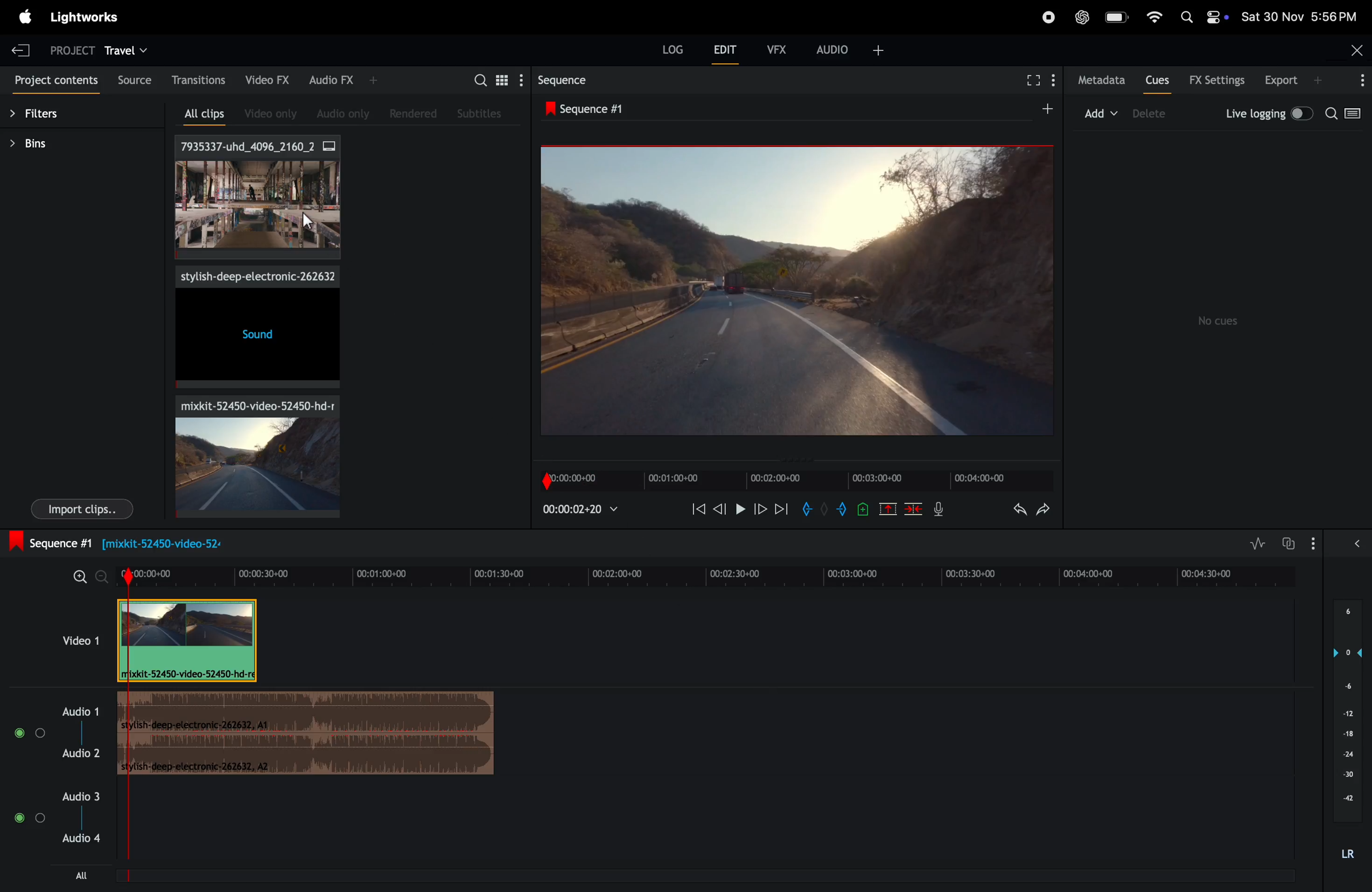 The image size is (1372, 892). I want to click on audio pitch, so click(1351, 731).